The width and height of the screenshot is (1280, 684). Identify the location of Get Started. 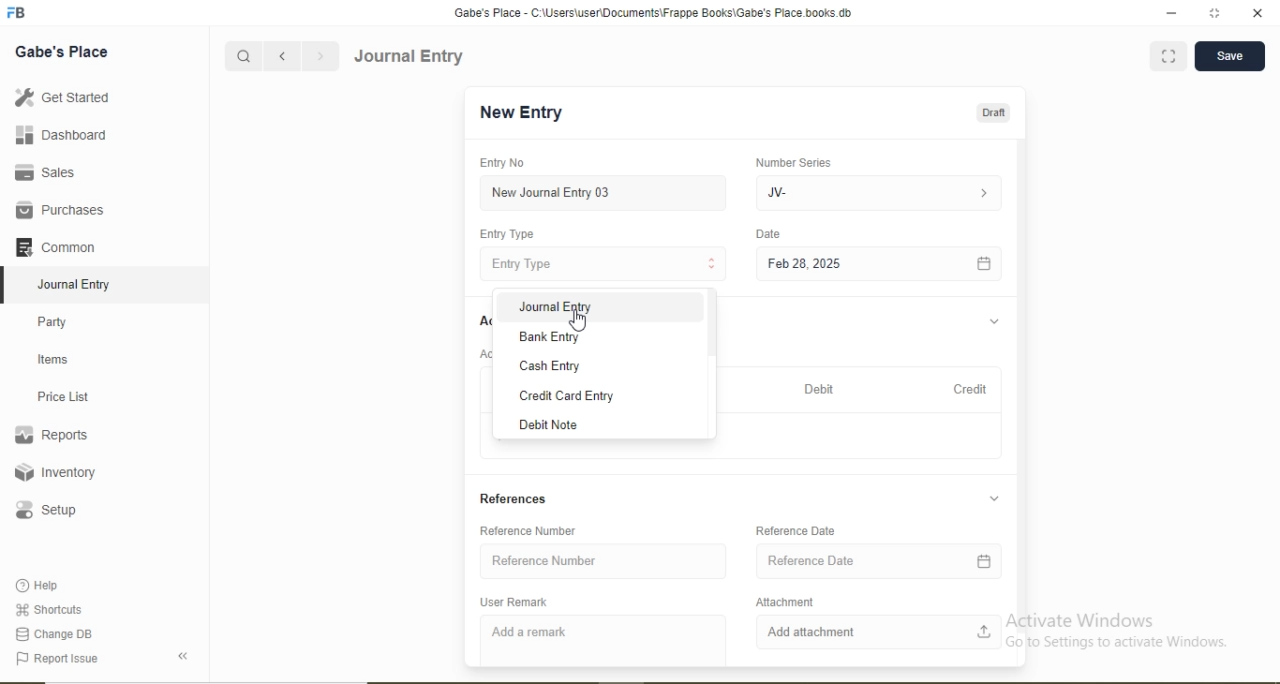
(61, 96).